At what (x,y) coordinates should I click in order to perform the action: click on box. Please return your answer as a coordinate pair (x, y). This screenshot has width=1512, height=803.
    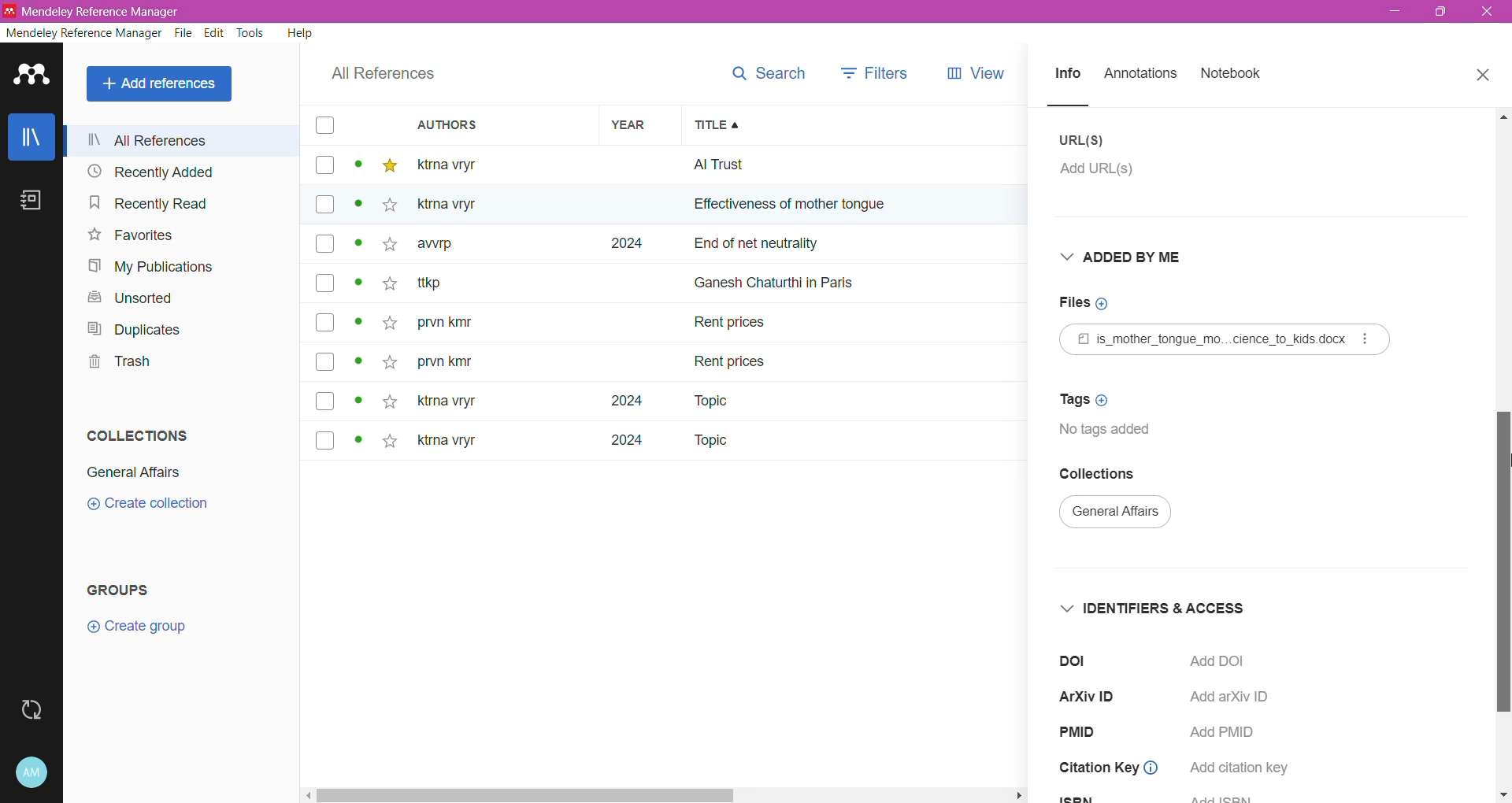
    Looking at the image, I should click on (326, 363).